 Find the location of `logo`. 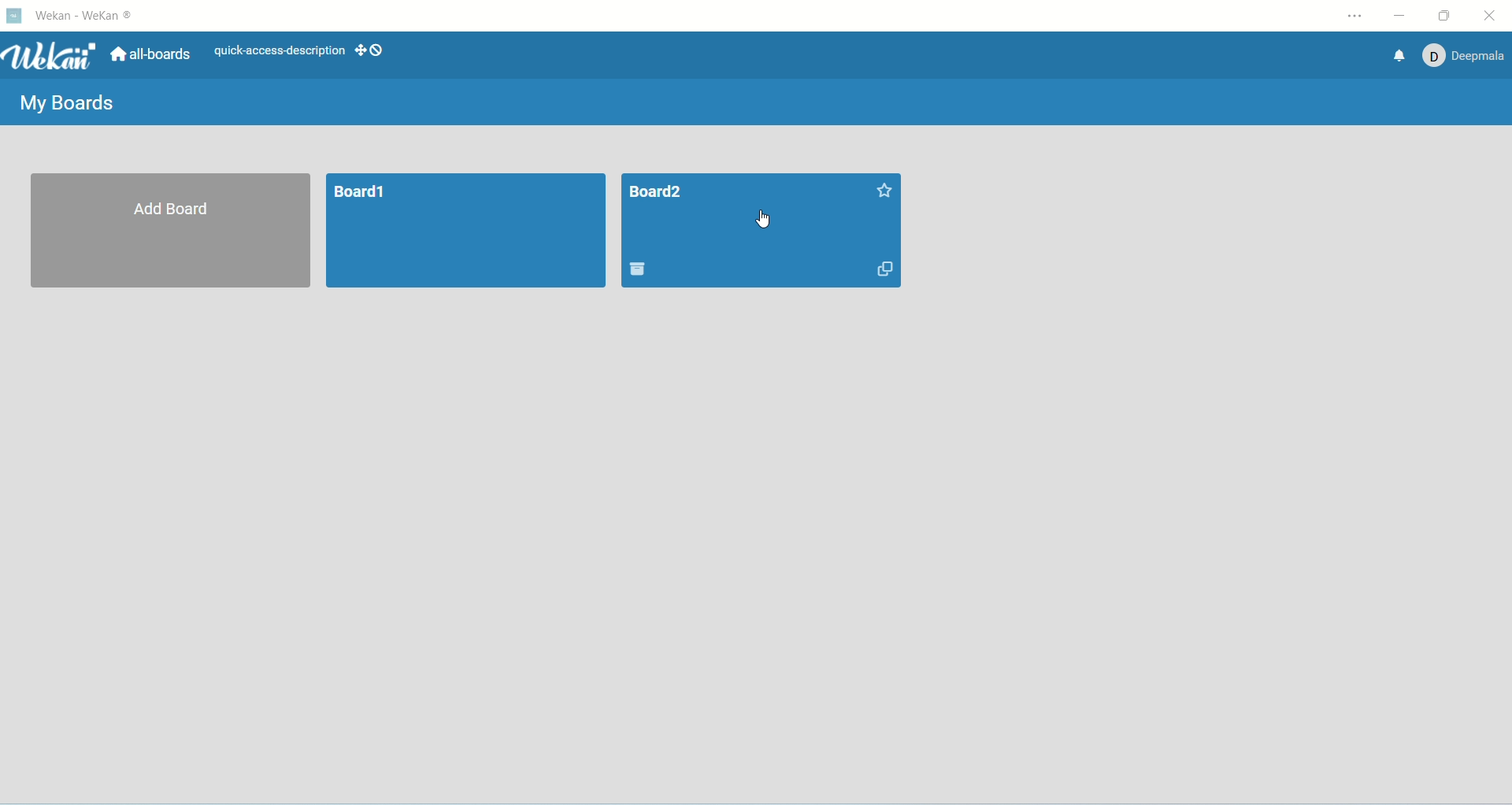

logo is located at coordinates (16, 18).